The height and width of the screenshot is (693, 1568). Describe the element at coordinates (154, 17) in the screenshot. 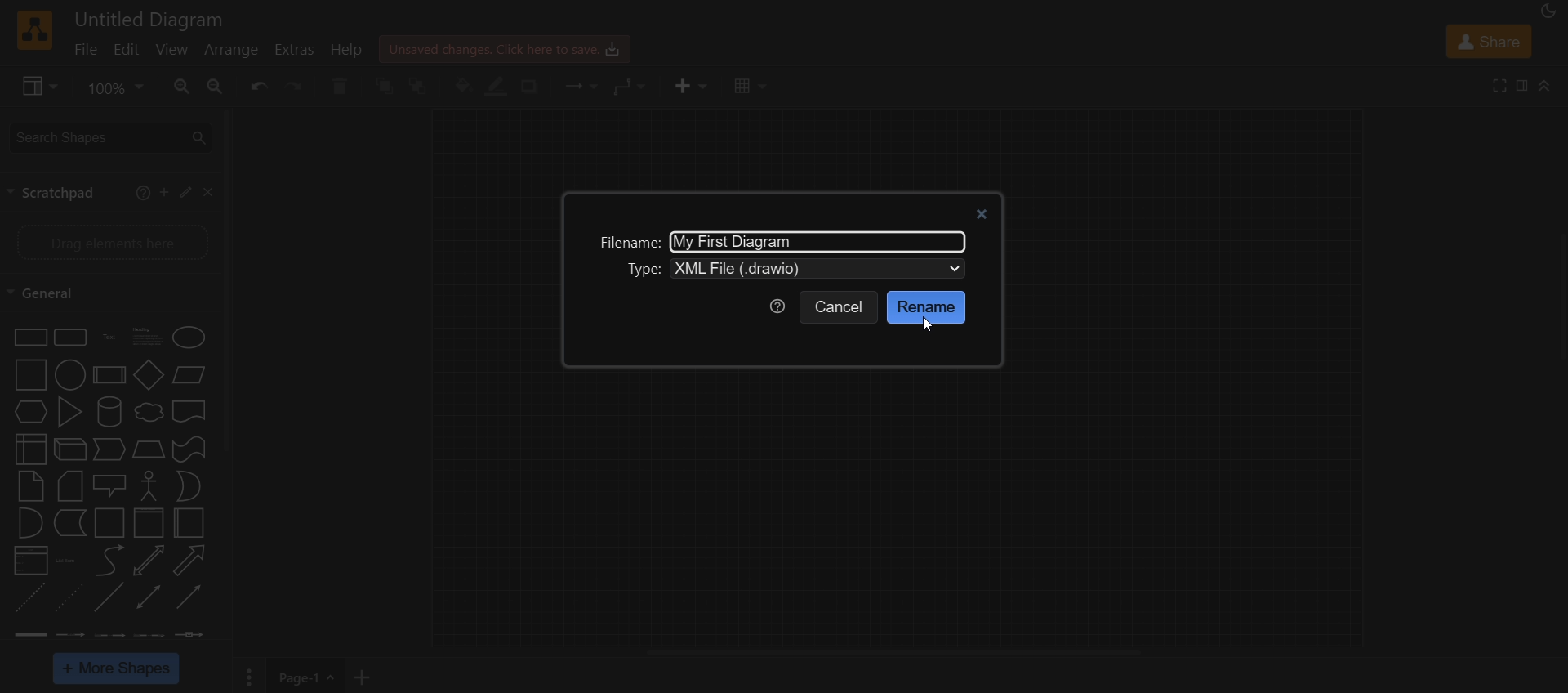

I see `title` at that location.